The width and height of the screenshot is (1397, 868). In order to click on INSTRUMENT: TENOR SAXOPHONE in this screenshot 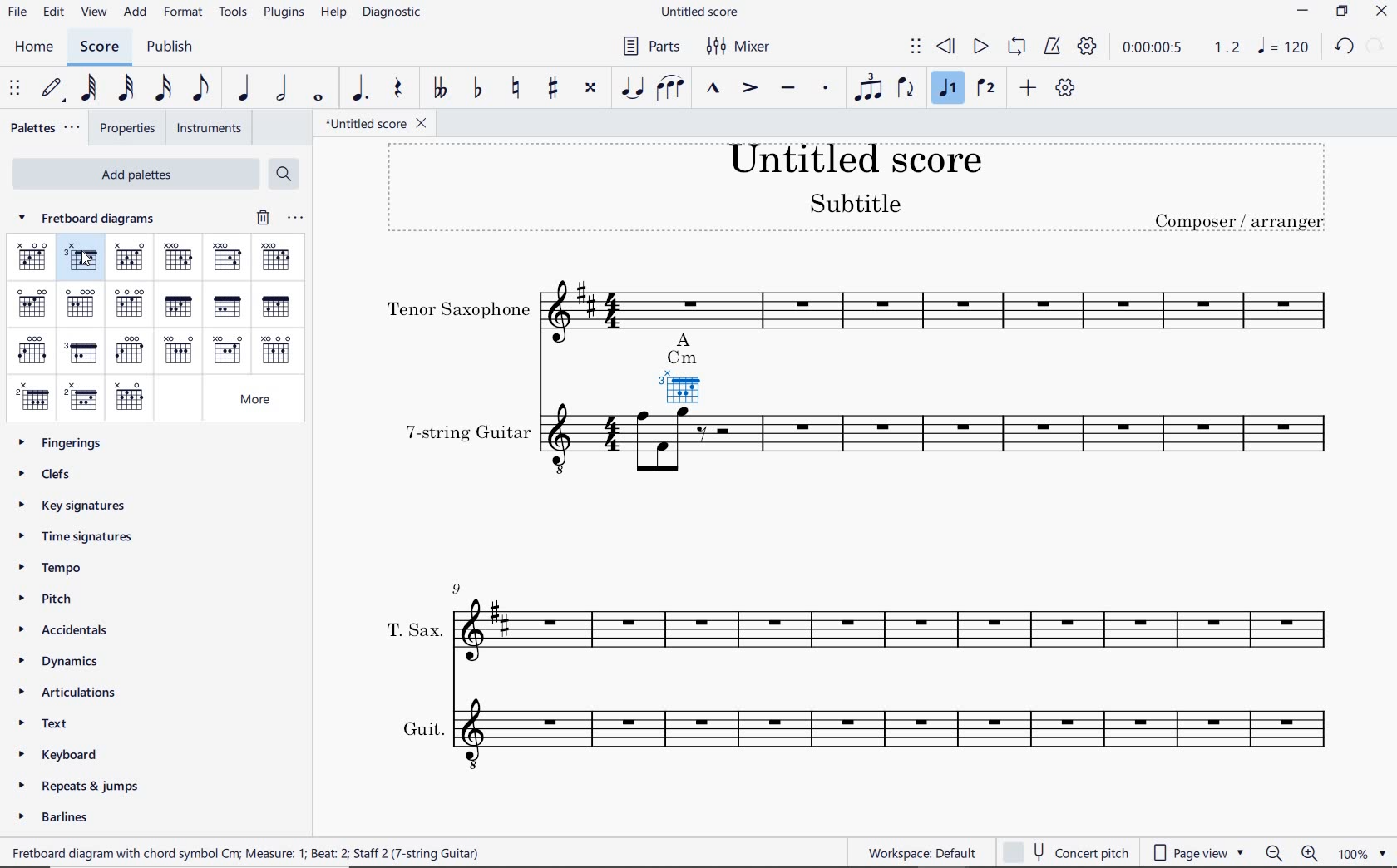, I will do `click(866, 301)`.